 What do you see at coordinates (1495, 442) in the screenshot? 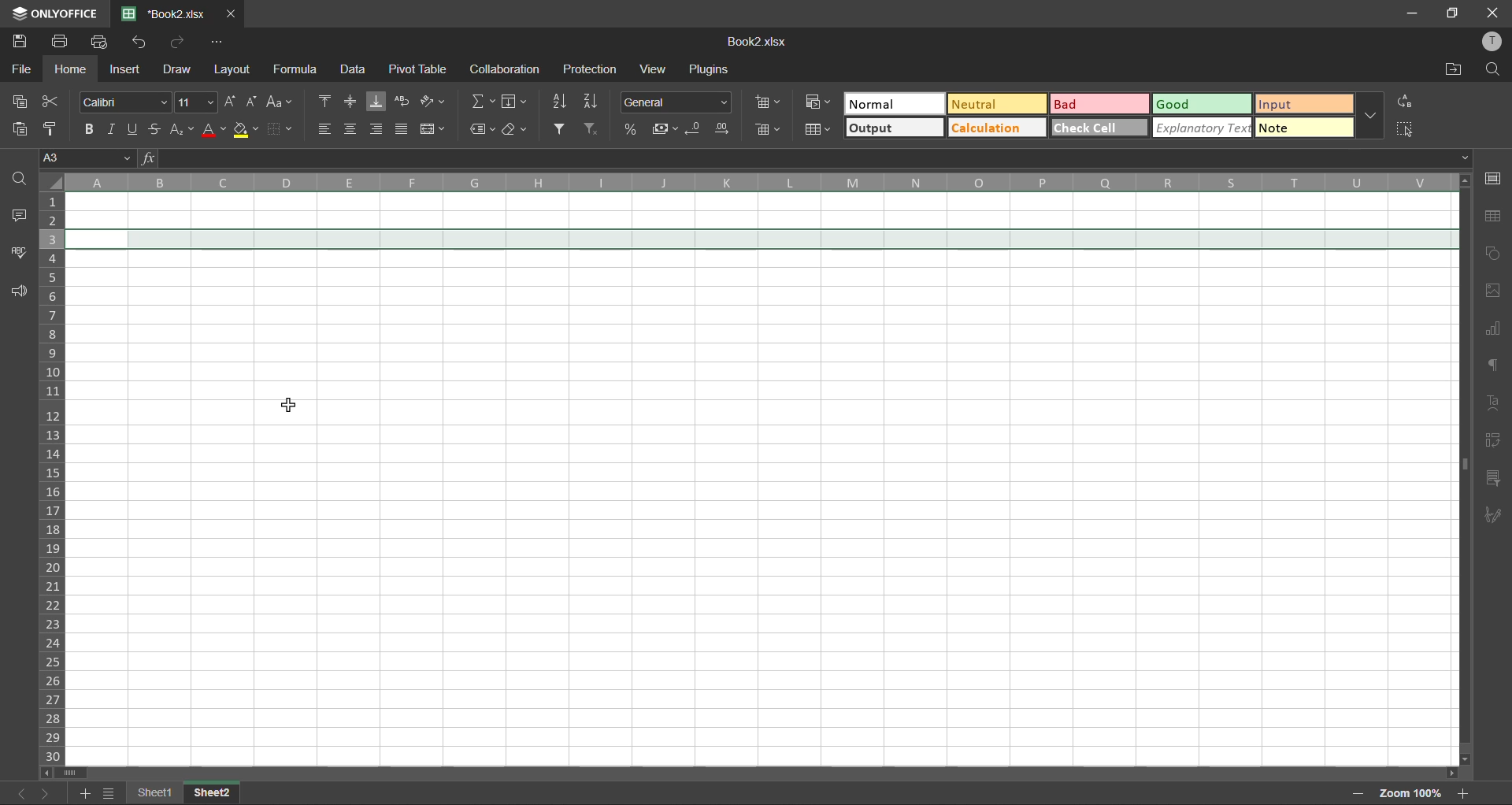
I see `pivot table` at bounding box center [1495, 442].